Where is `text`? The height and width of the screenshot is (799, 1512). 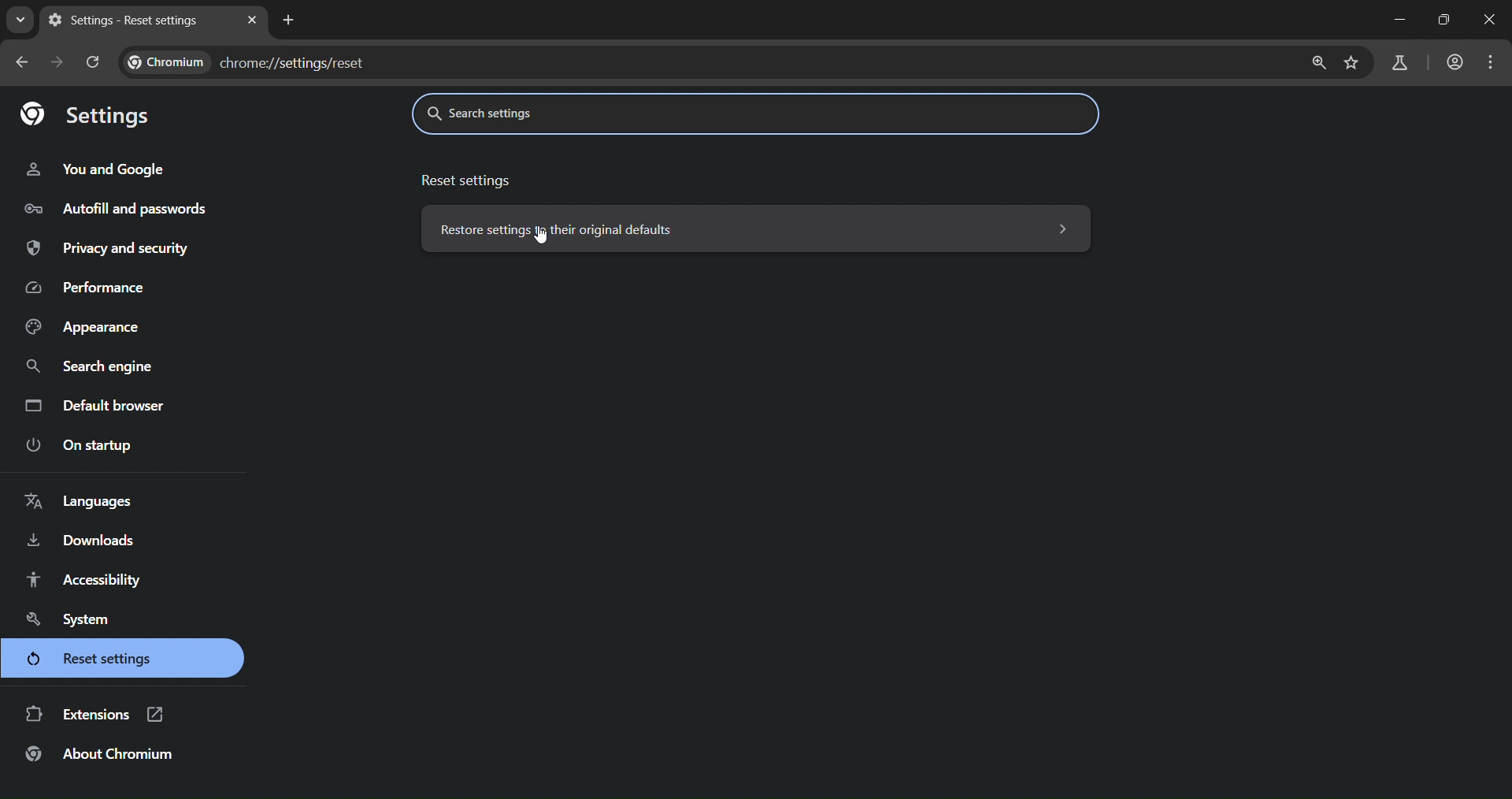
text is located at coordinates (245, 62).